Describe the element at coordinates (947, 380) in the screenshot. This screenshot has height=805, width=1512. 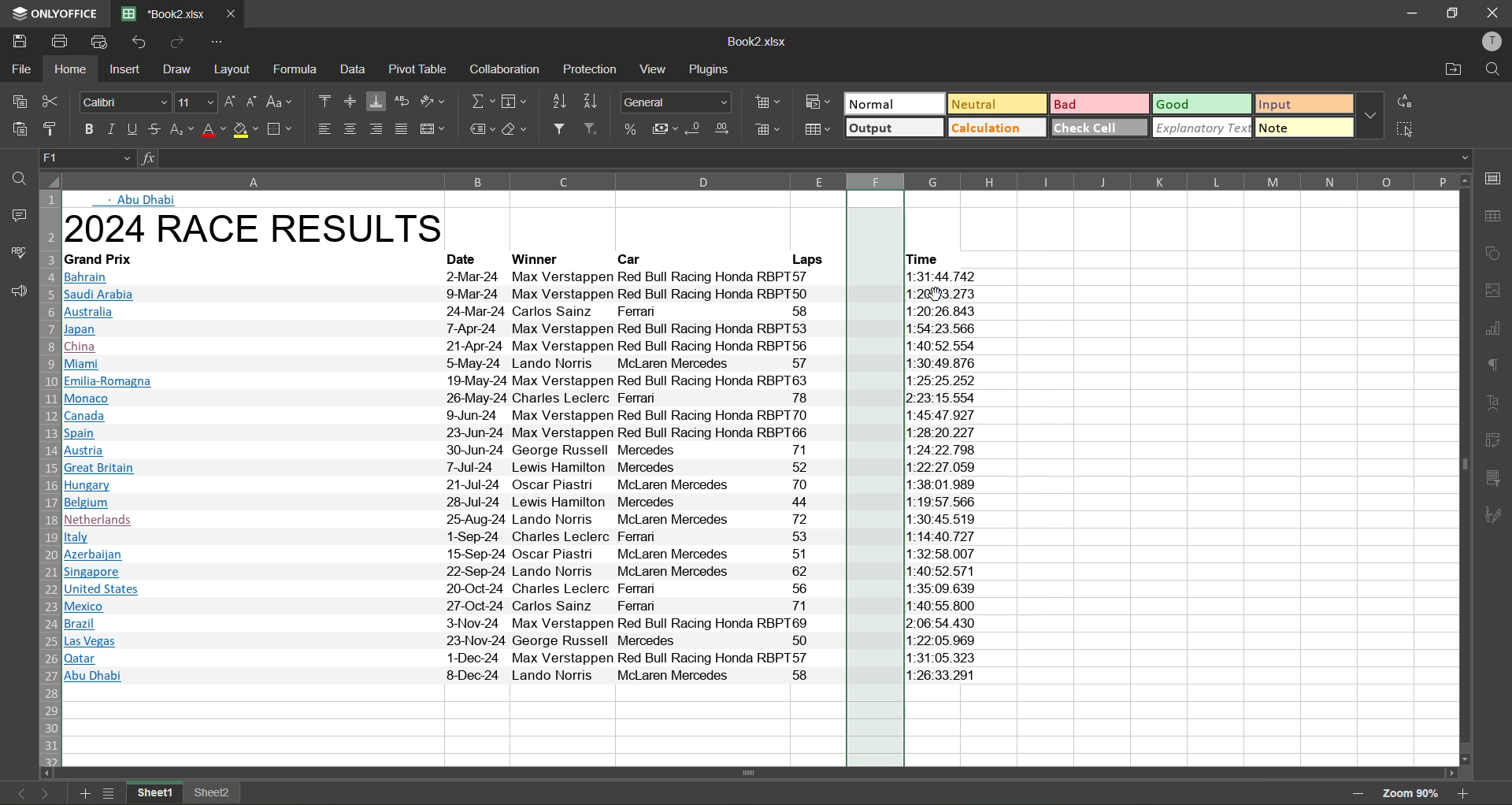
I see `11:25:25.252` at that location.